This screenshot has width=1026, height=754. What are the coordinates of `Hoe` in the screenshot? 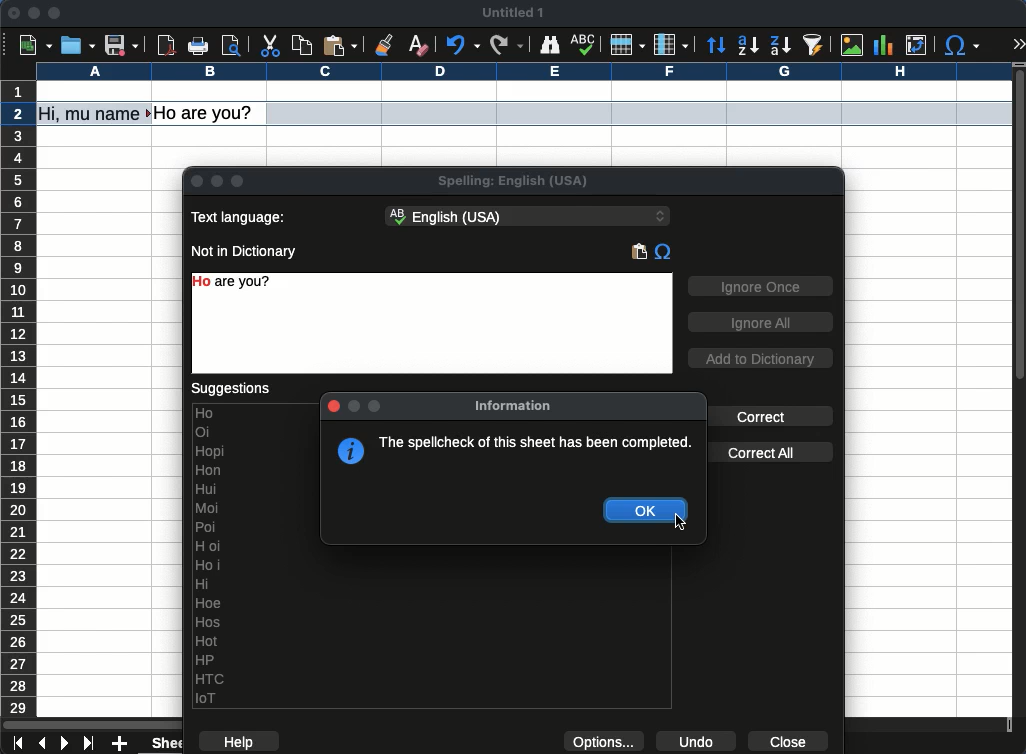 It's located at (210, 603).